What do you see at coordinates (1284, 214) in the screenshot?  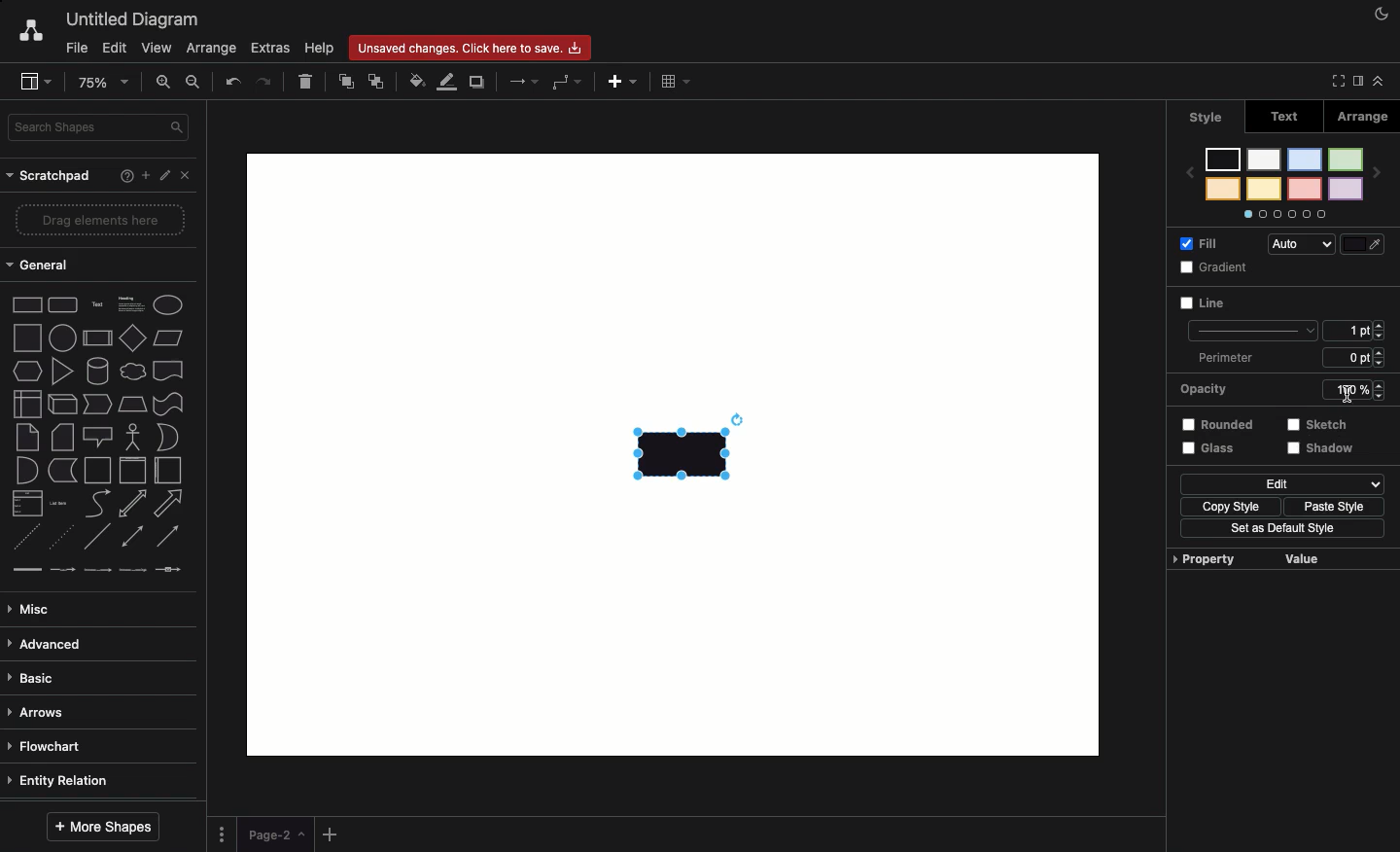 I see `Options` at bounding box center [1284, 214].